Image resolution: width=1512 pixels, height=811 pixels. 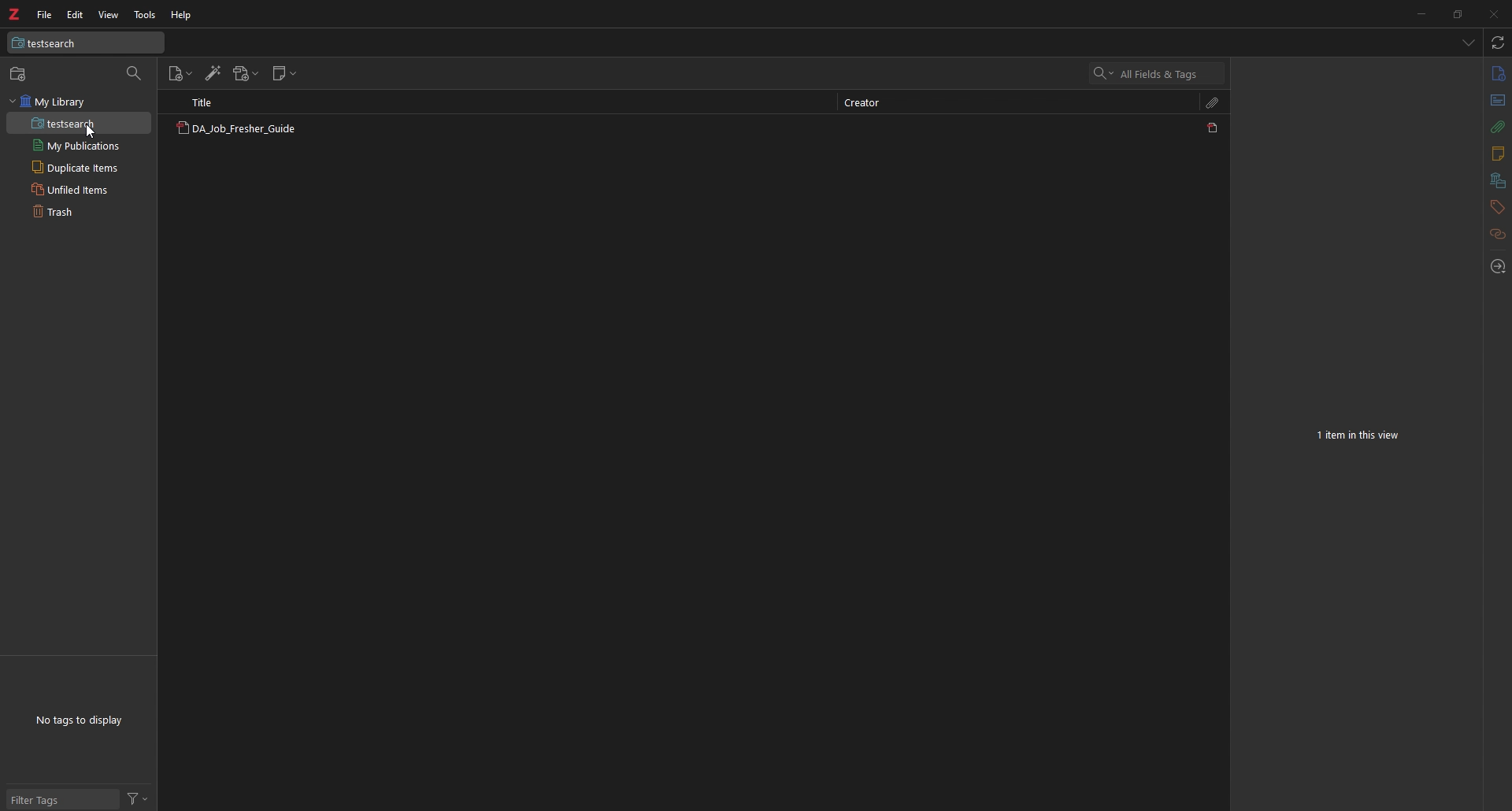 I want to click on edit, so click(x=76, y=15).